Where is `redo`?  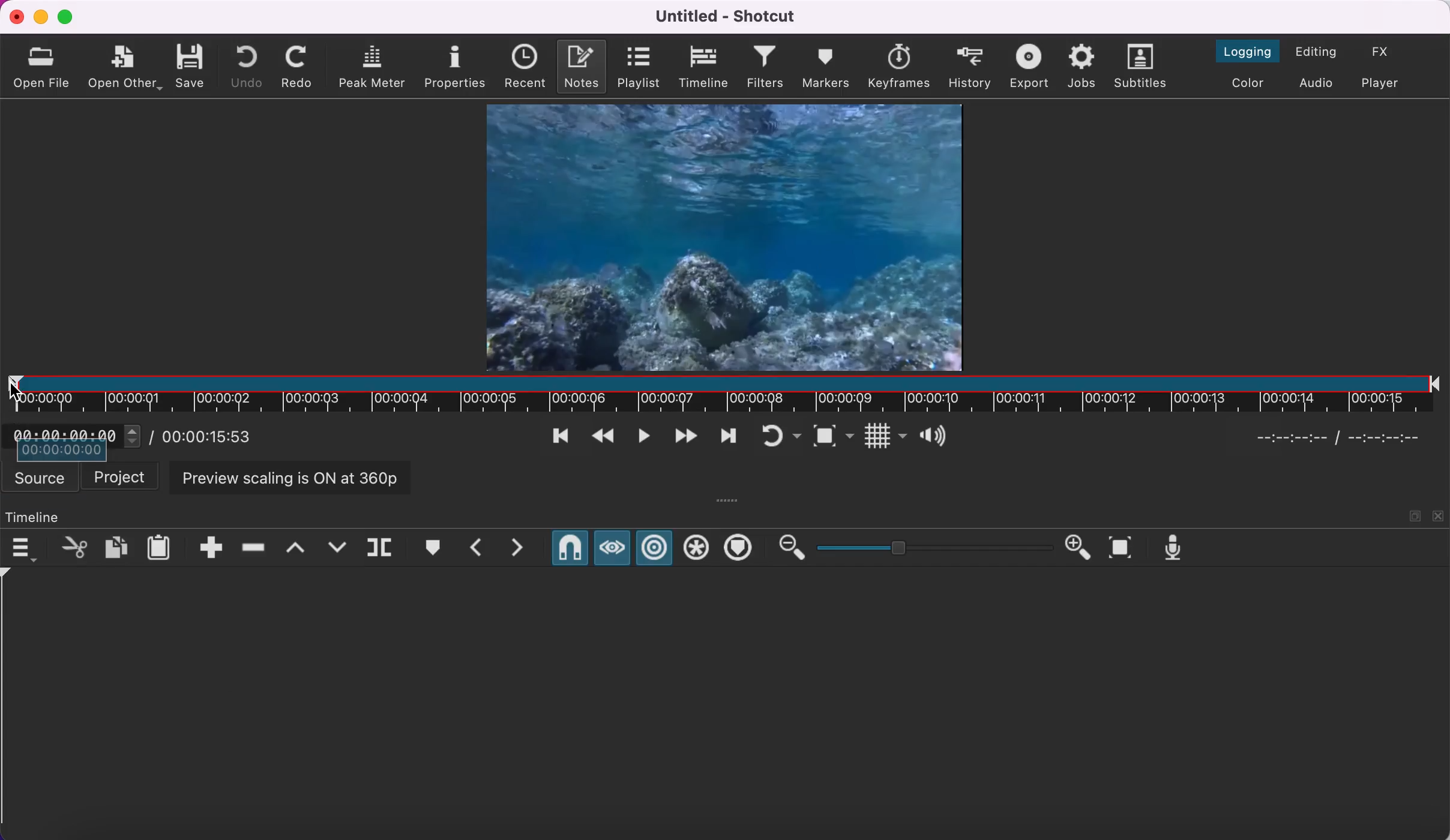
redo is located at coordinates (300, 66).